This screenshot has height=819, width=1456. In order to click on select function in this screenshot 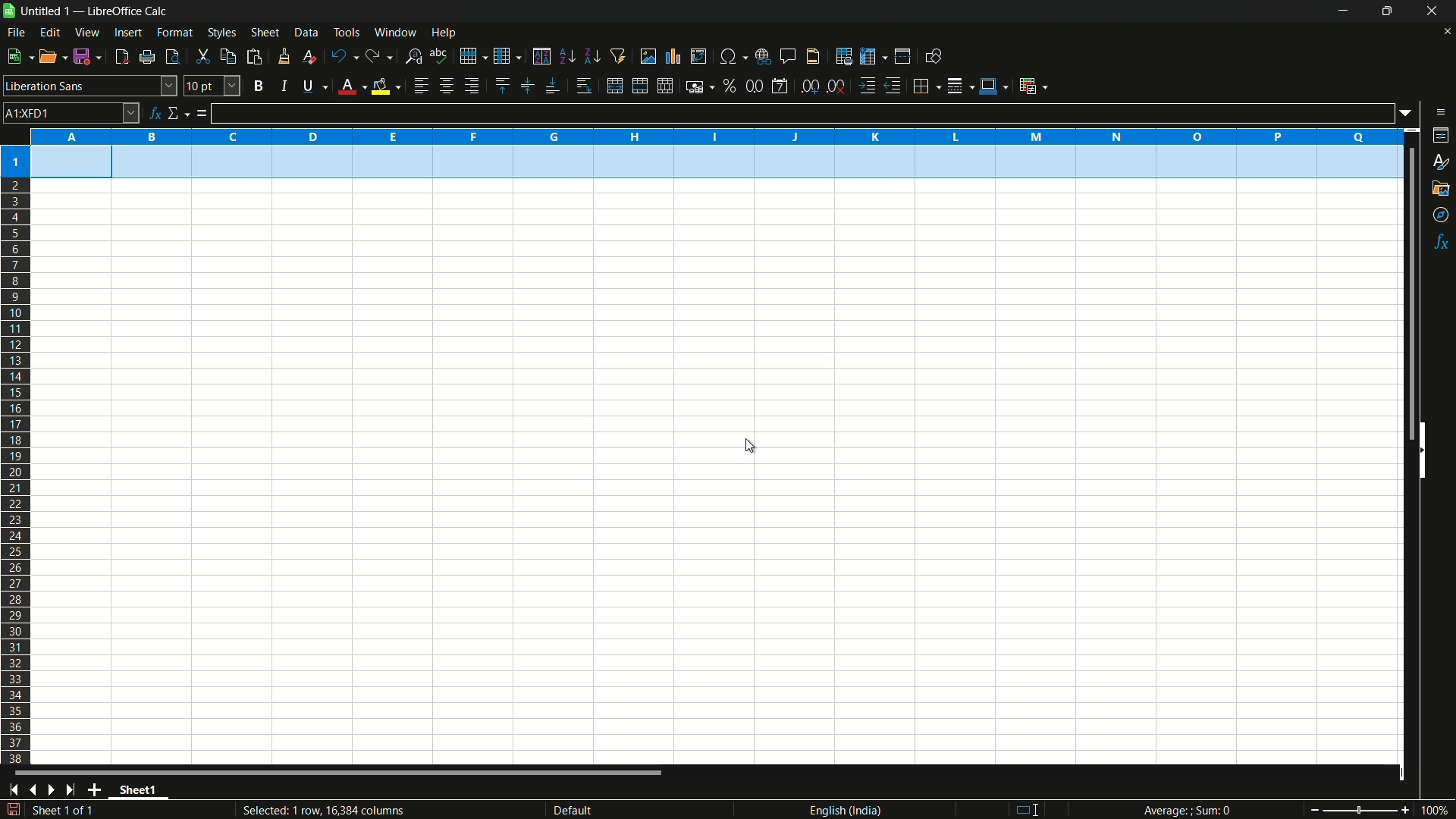, I will do `click(178, 114)`.